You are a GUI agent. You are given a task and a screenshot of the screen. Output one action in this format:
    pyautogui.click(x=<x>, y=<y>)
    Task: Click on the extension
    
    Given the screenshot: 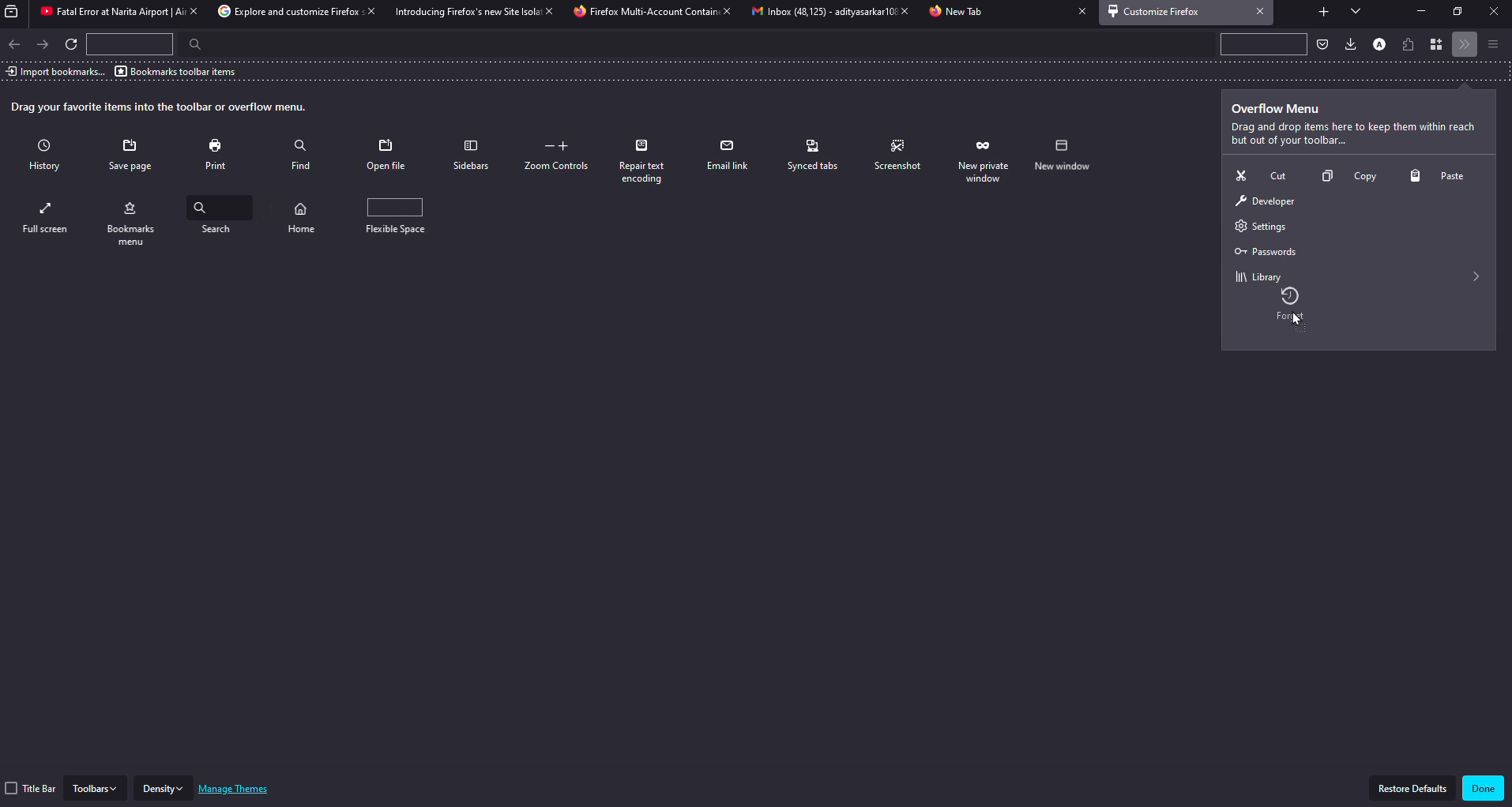 What is the action you would take?
    pyautogui.click(x=1410, y=43)
    